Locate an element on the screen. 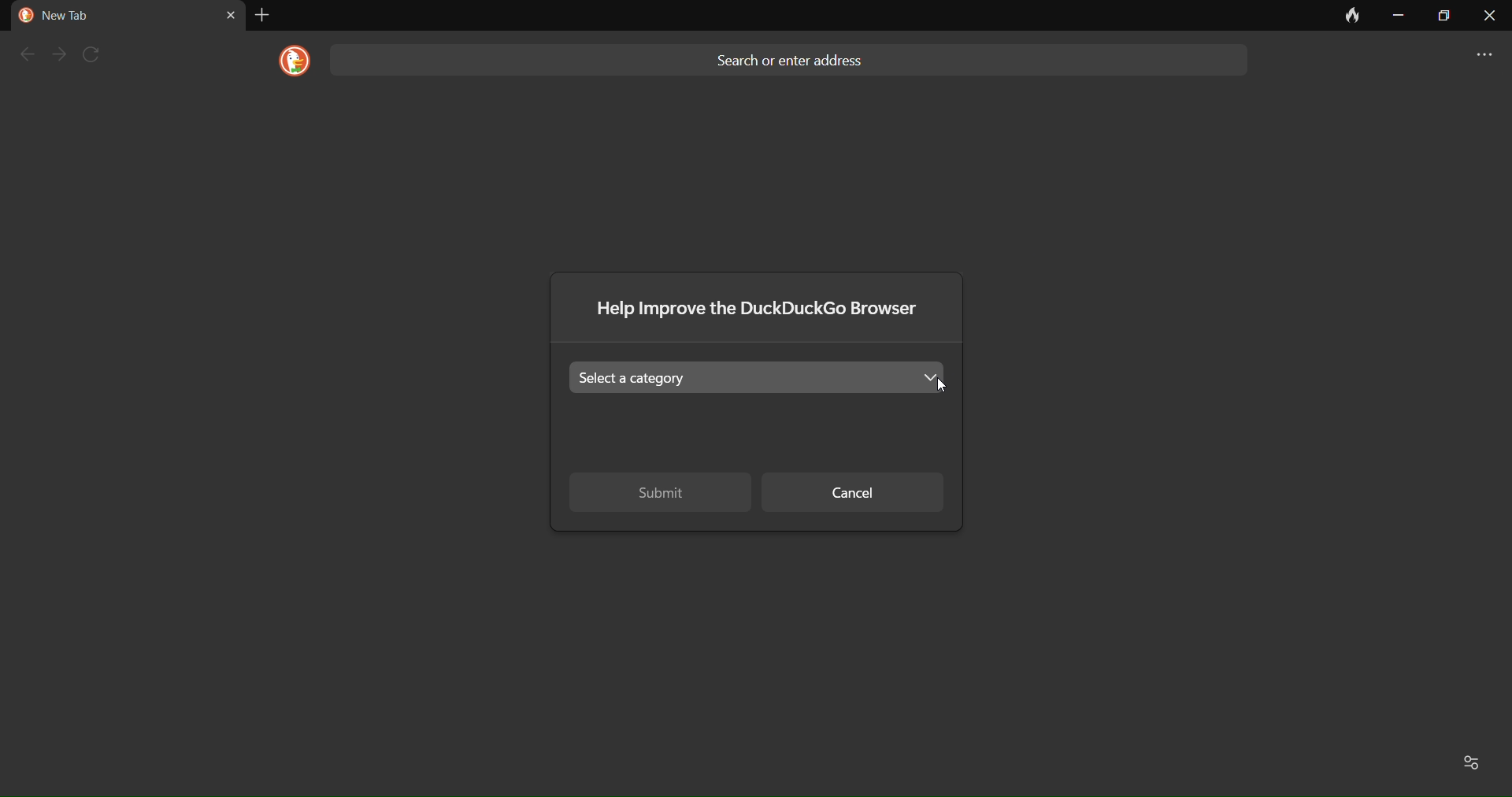 This screenshot has height=797, width=1512. more is located at coordinates (1476, 57).